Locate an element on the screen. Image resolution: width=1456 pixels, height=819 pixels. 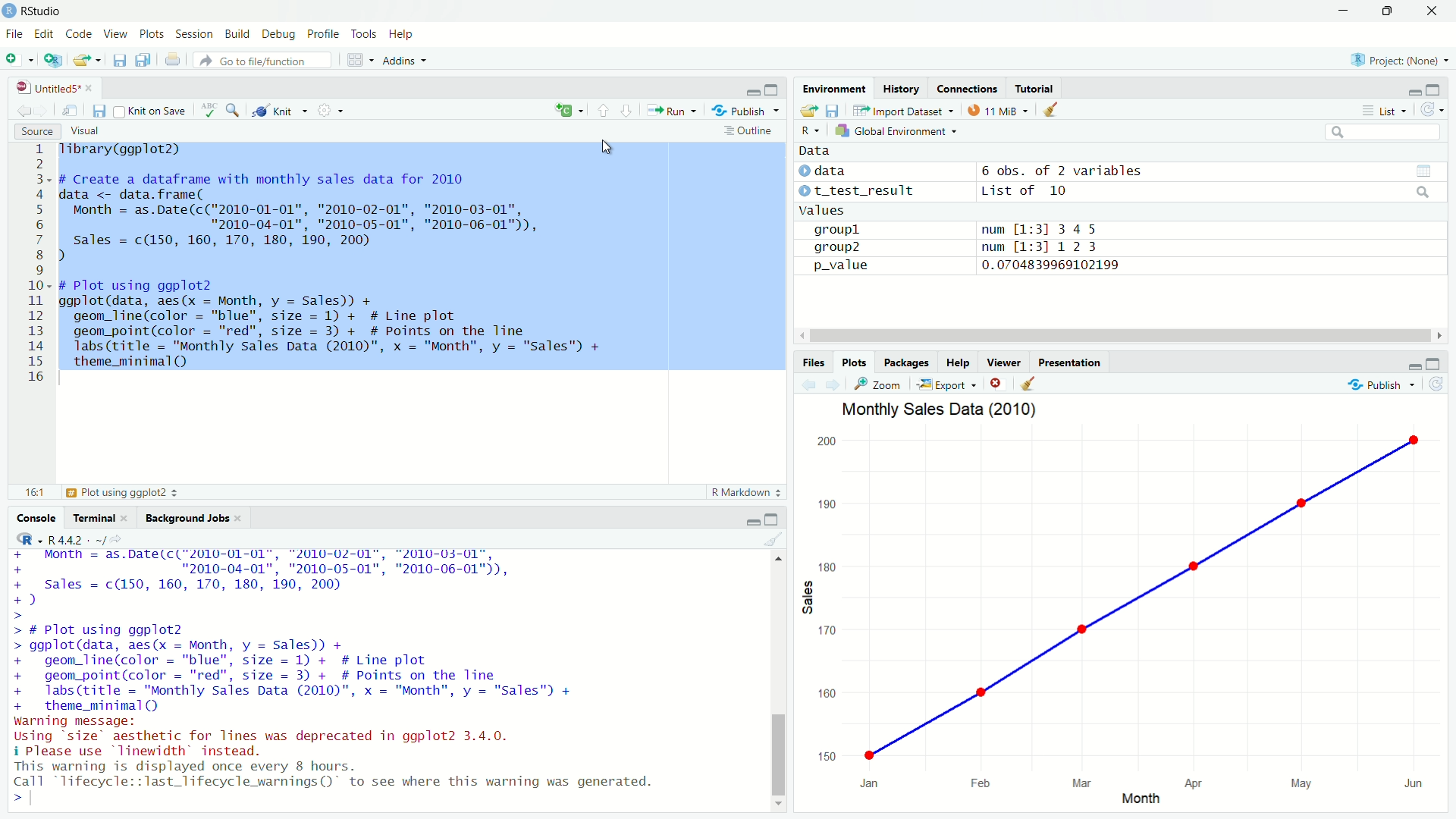
save in new window is located at coordinates (71, 108).